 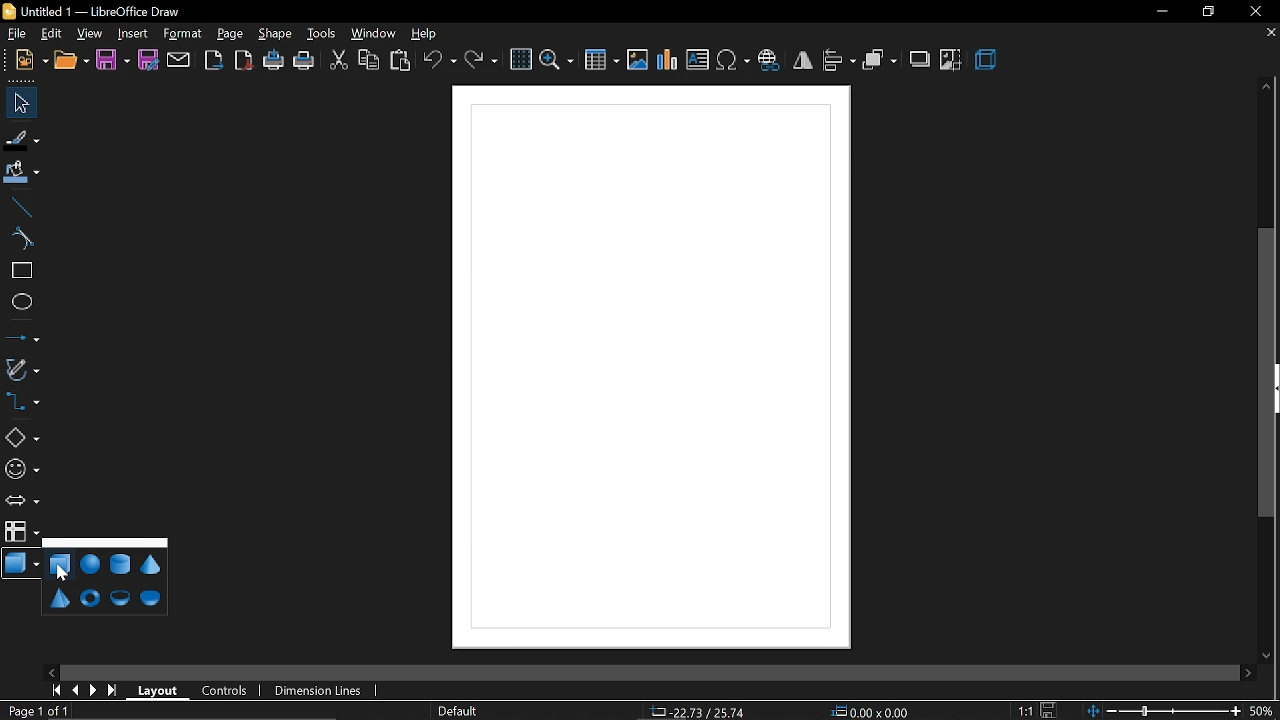 What do you see at coordinates (950, 59) in the screenshot?
I see `crop` at bounding box center [950, 59].